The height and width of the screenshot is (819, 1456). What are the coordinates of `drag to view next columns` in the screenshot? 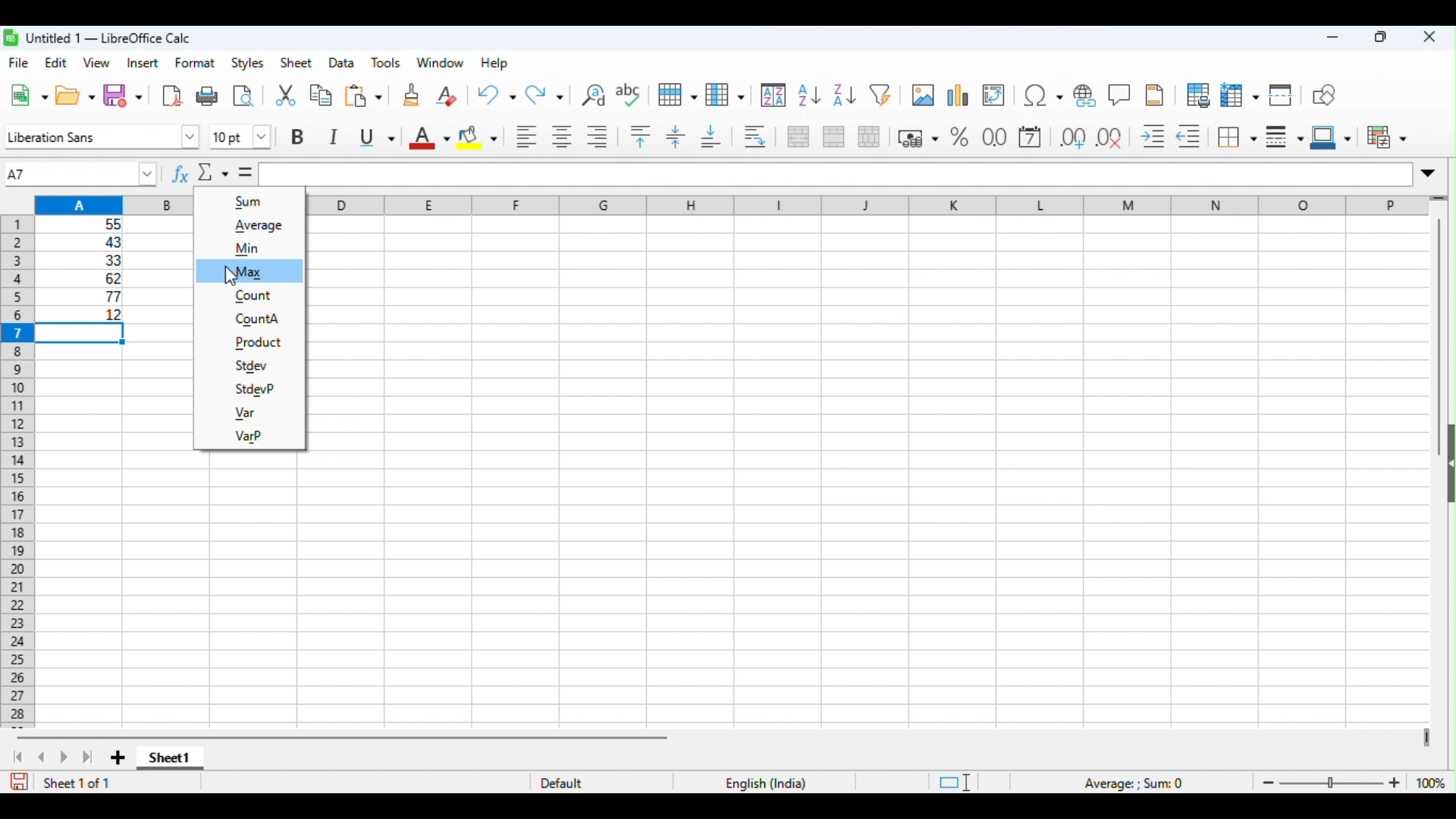 It's located at (1424, 738).